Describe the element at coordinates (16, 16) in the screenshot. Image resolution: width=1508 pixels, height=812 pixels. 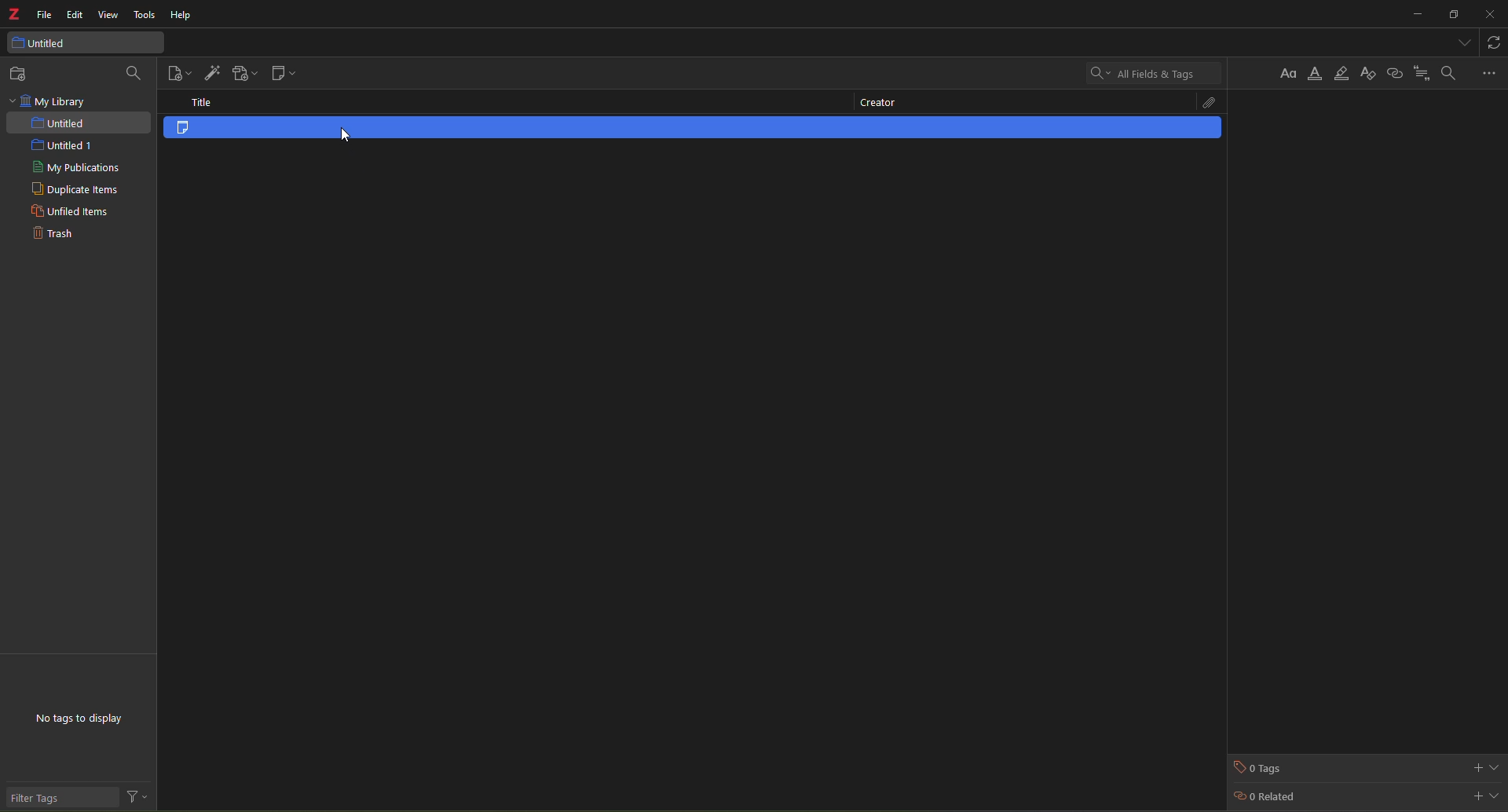
I see `z` at that location.